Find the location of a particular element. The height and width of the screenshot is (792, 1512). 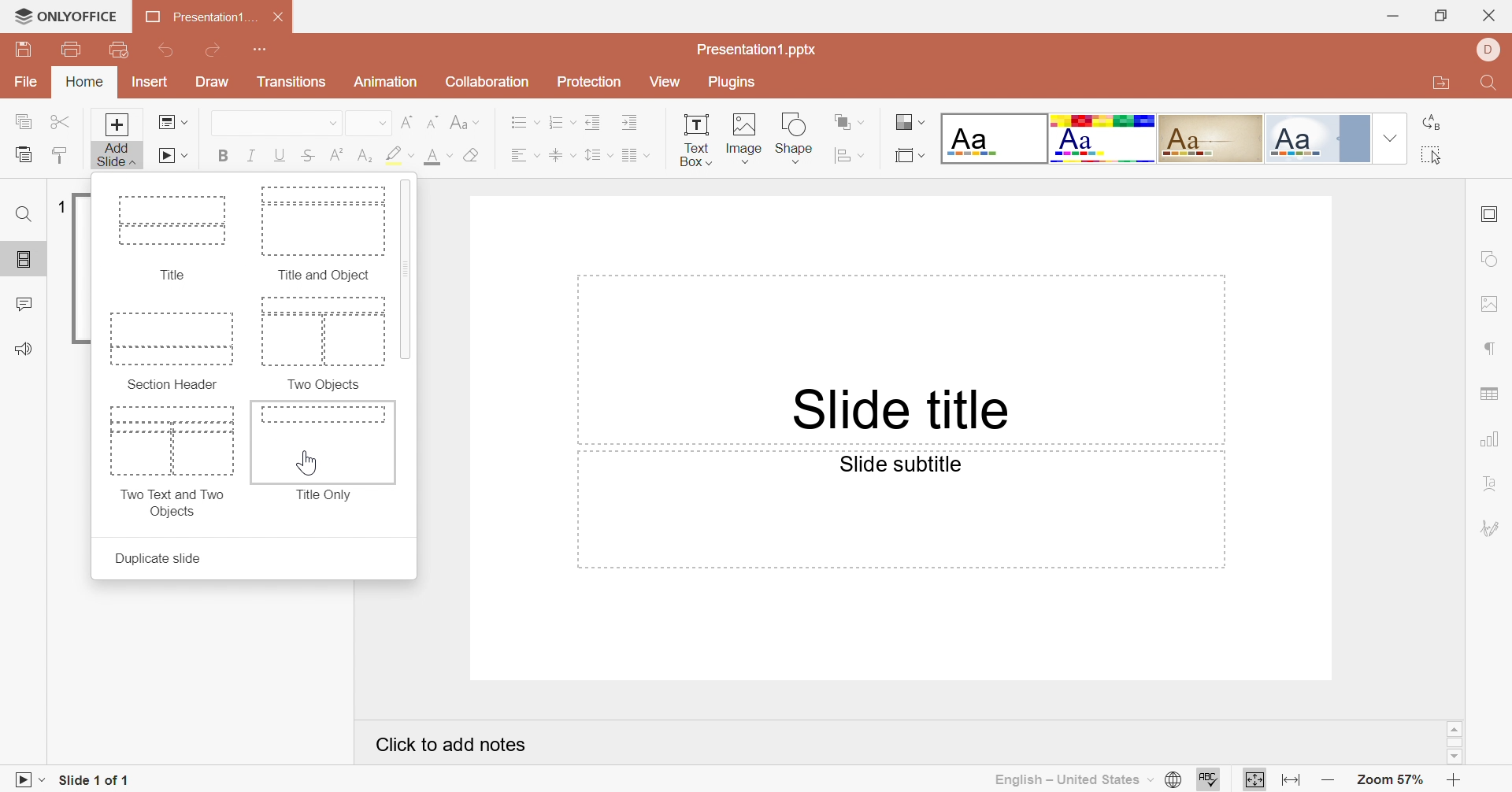

Change slide size is located at coordinates (911, 156).